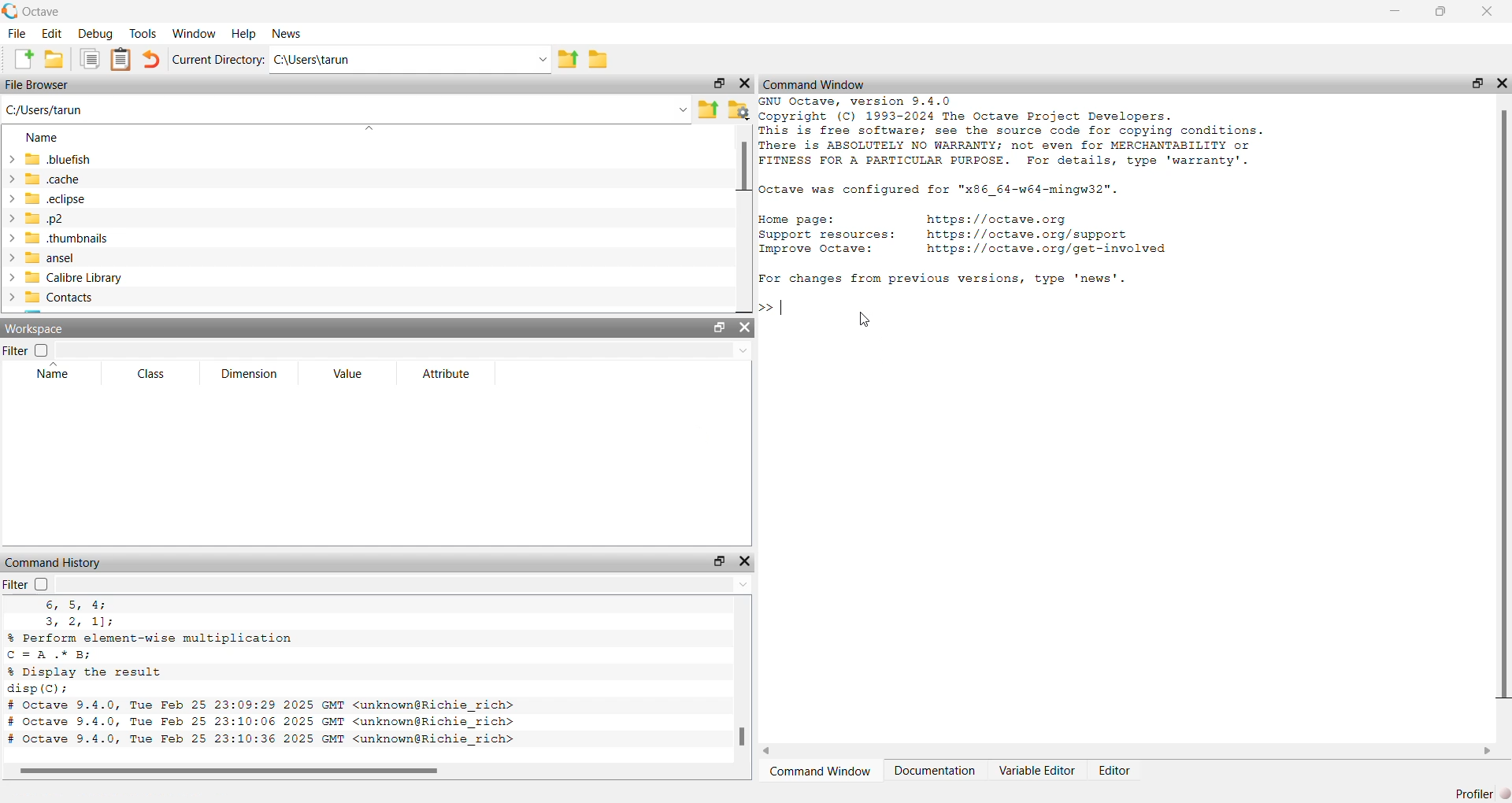  I want to click on Close, so click(743, 562).